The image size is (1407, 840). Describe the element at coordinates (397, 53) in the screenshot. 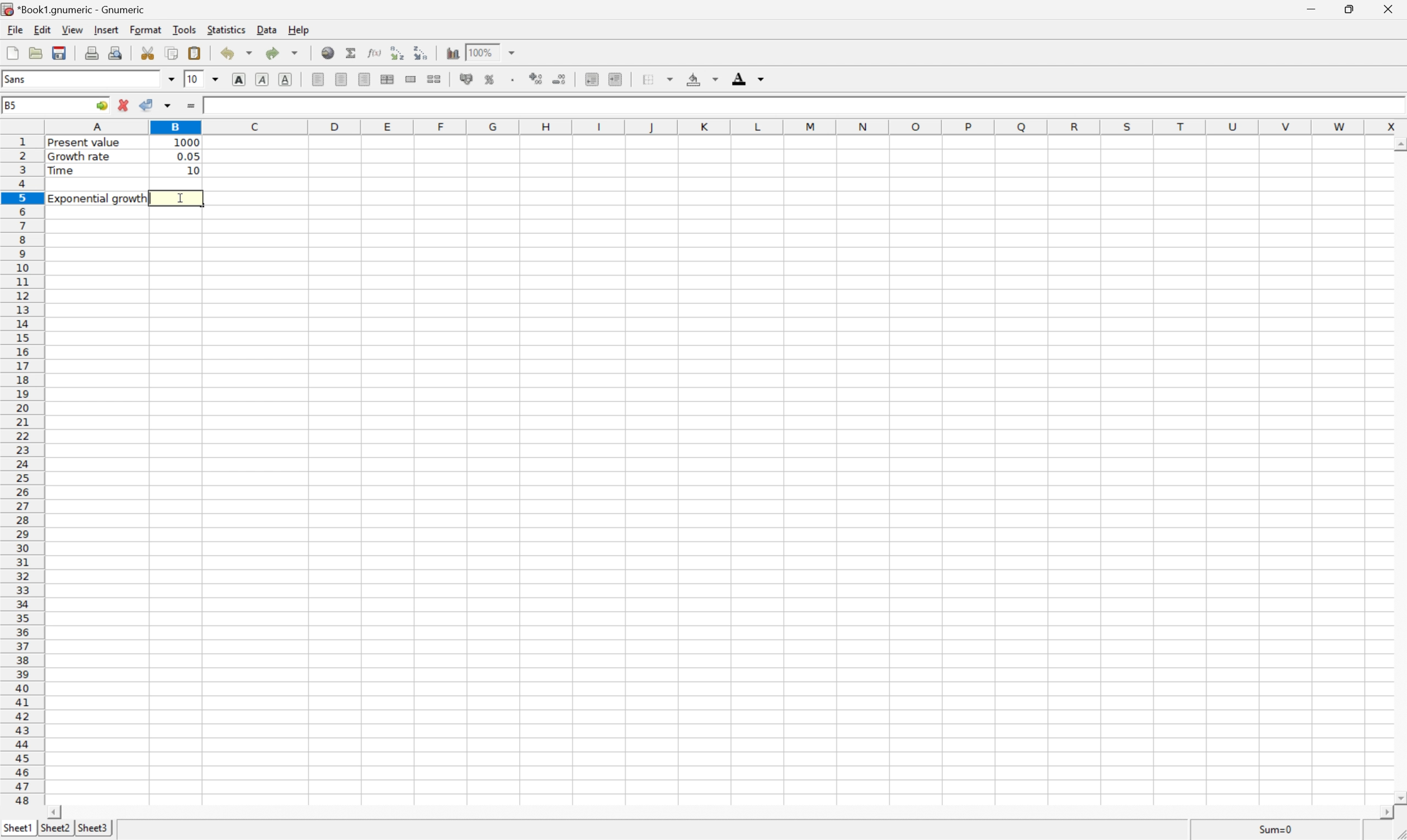

I see `Decrease indent, and align the contents to the left` at that location.